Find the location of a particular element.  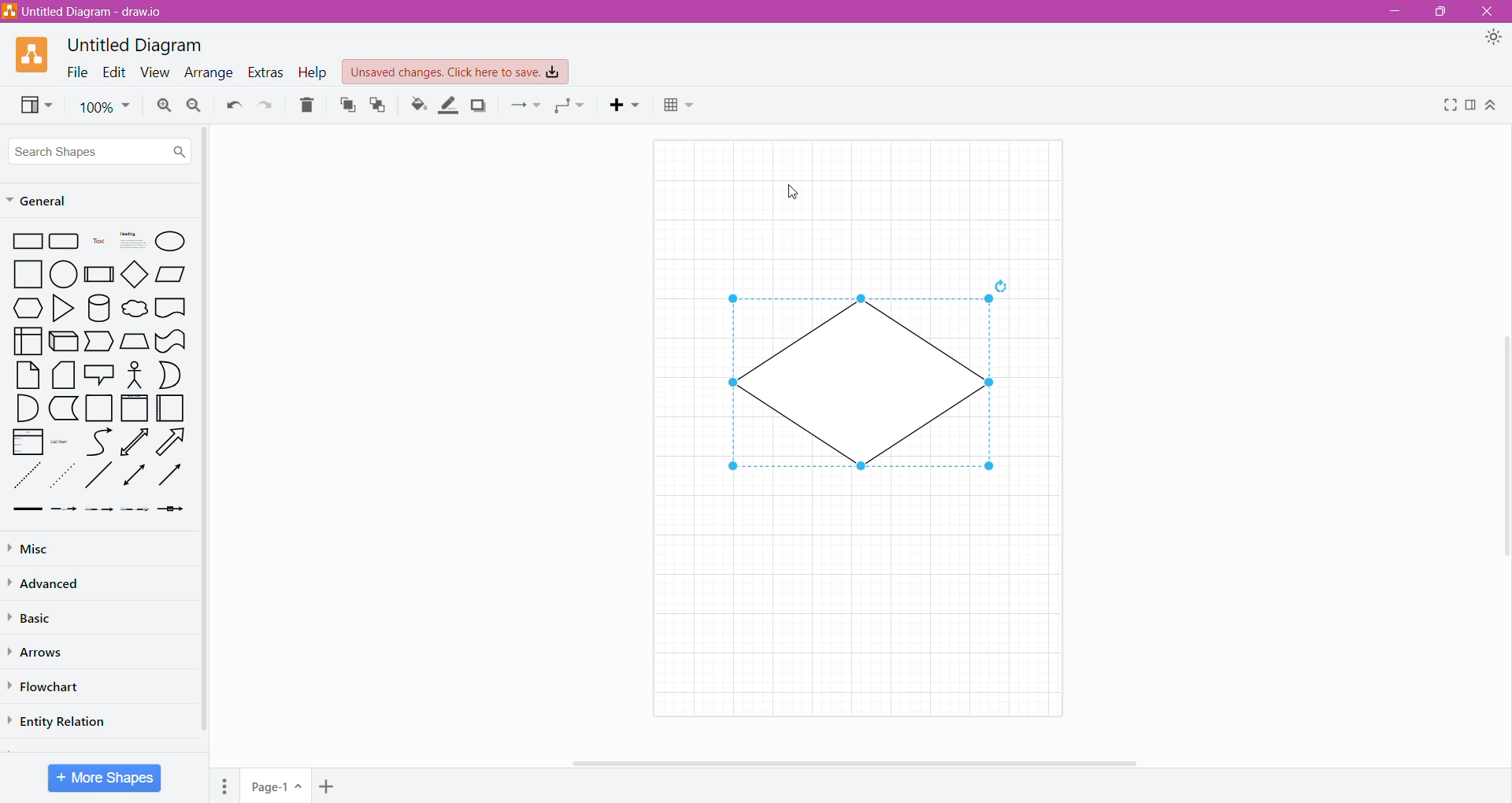

Or is located at coordinates (171, 375).